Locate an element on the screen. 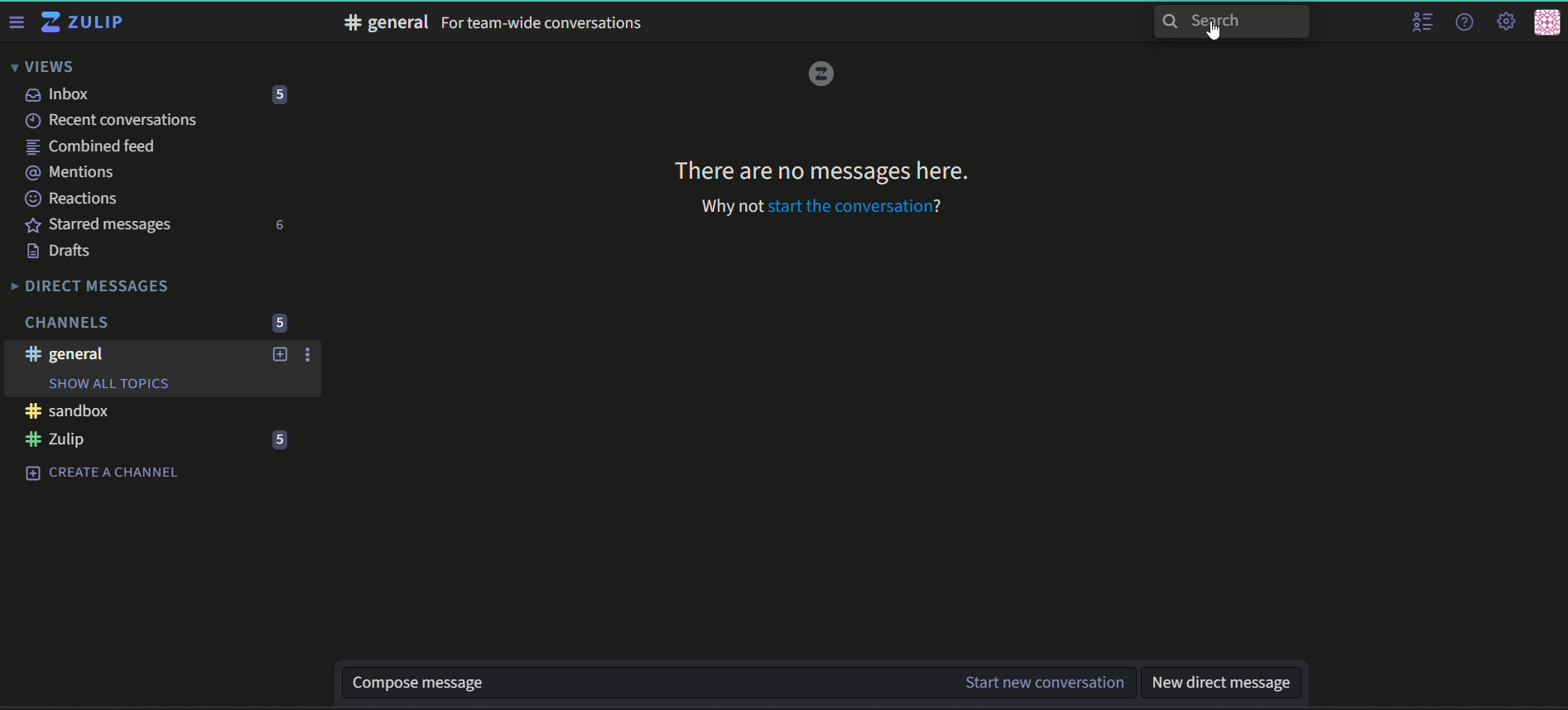 Image resolution: width=1568 pixels, height=710 pixels. search bar is located at coordinates (1232, 23).